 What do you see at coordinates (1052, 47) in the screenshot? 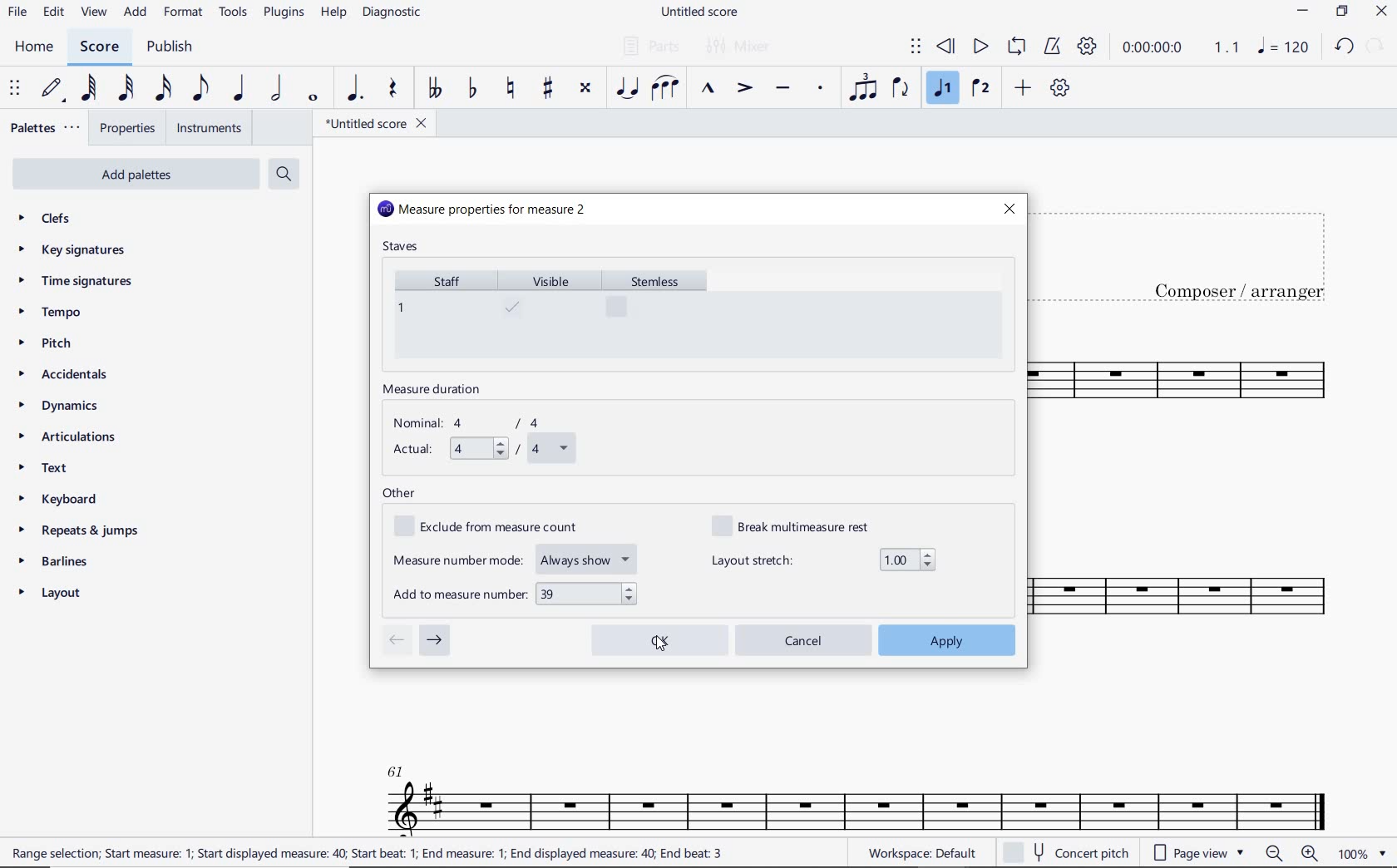
I see `METRONOME` at bounding box center [1052, 47].